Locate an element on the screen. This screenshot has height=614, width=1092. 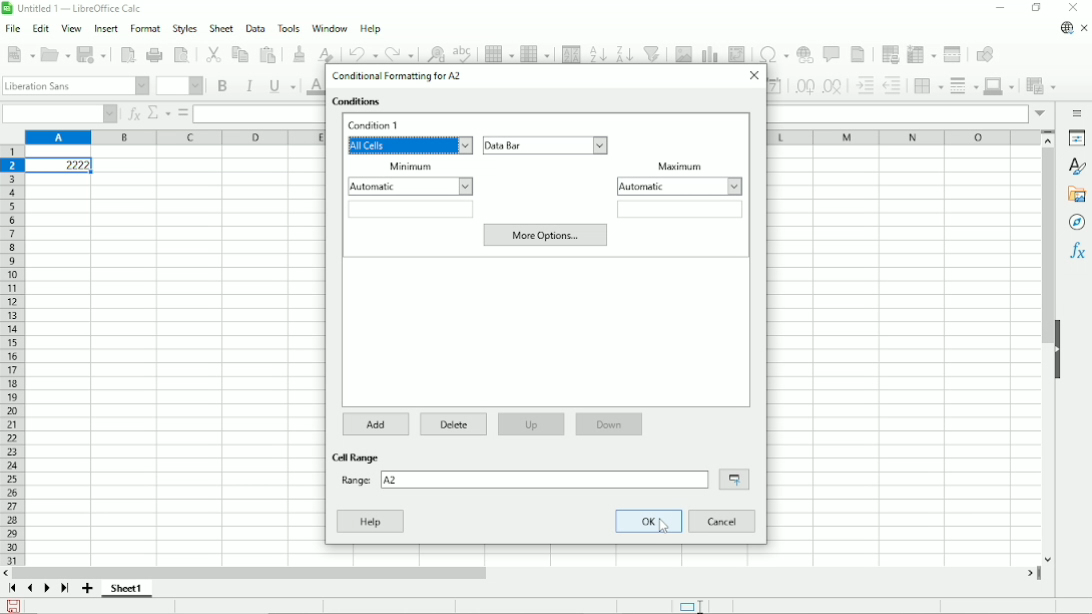
Styles is located at coordinates (184, 28).